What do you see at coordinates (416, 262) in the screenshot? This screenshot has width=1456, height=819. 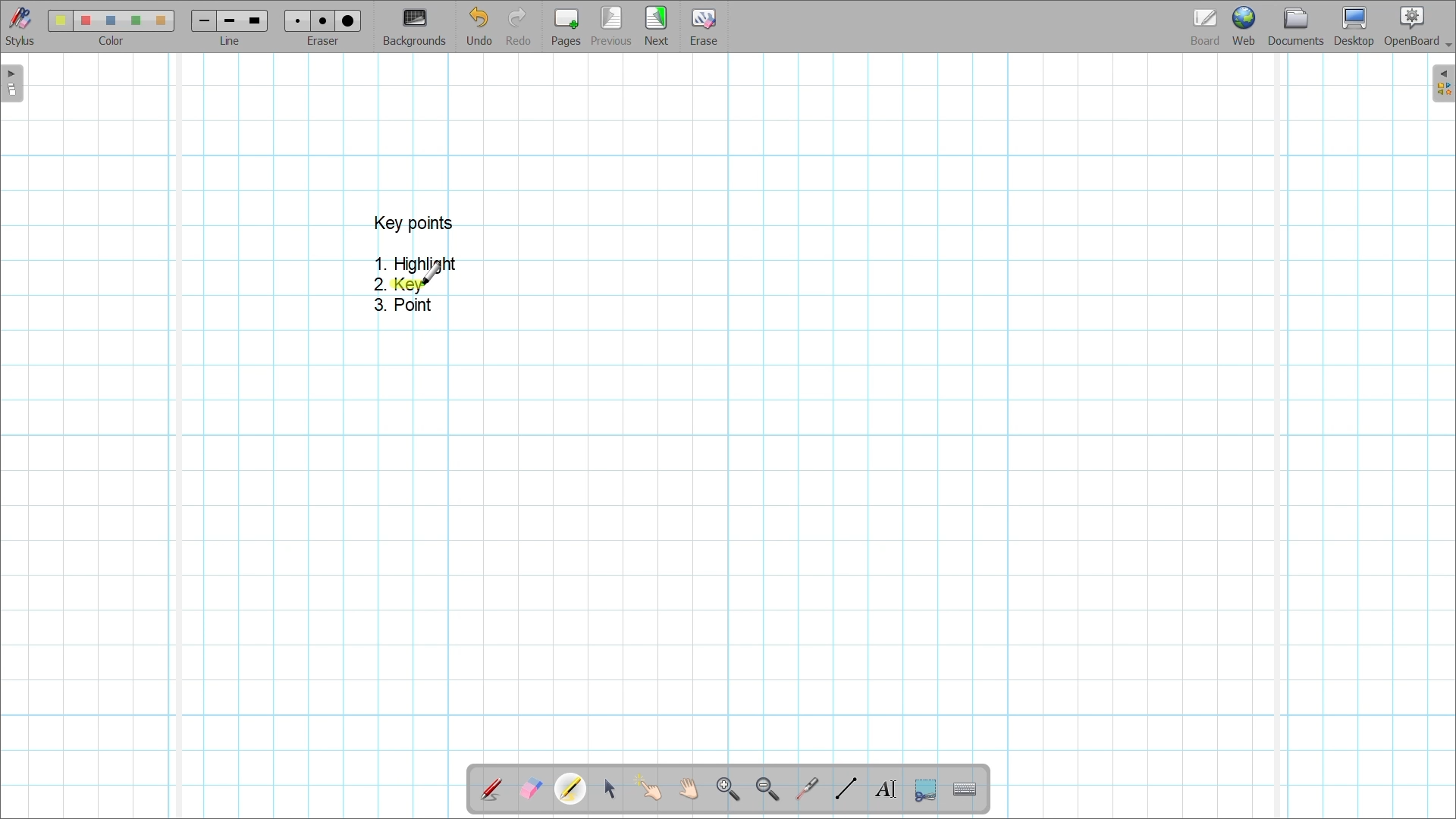 I see `1. Highlight` at bounding box center [416, 262].